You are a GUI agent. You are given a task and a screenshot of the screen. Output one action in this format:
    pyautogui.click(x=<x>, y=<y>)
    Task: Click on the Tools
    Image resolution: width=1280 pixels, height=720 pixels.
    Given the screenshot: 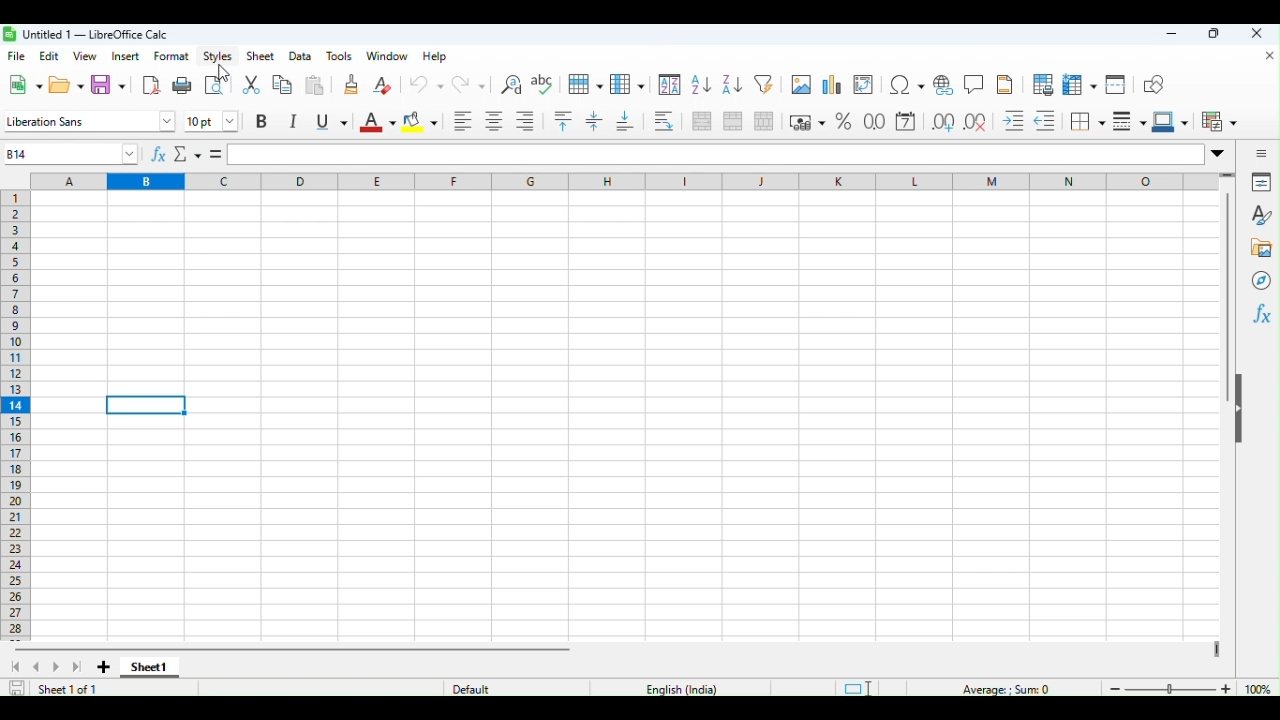 What is the action you would take?
    pyautogui.click(x=344, y=54)
    